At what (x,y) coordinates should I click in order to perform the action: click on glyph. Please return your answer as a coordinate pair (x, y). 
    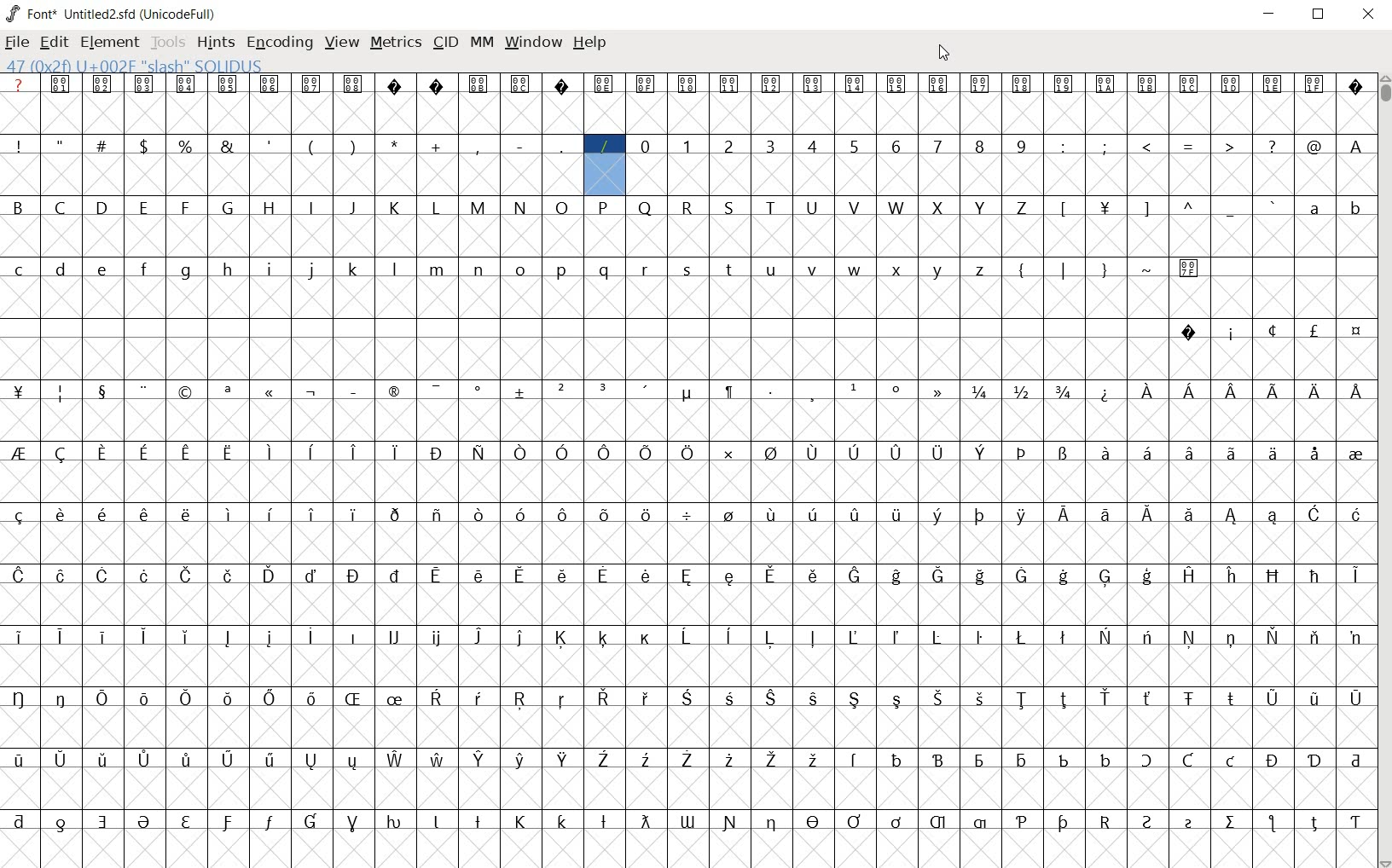
    Looking at the image, I should click on (186, 84).